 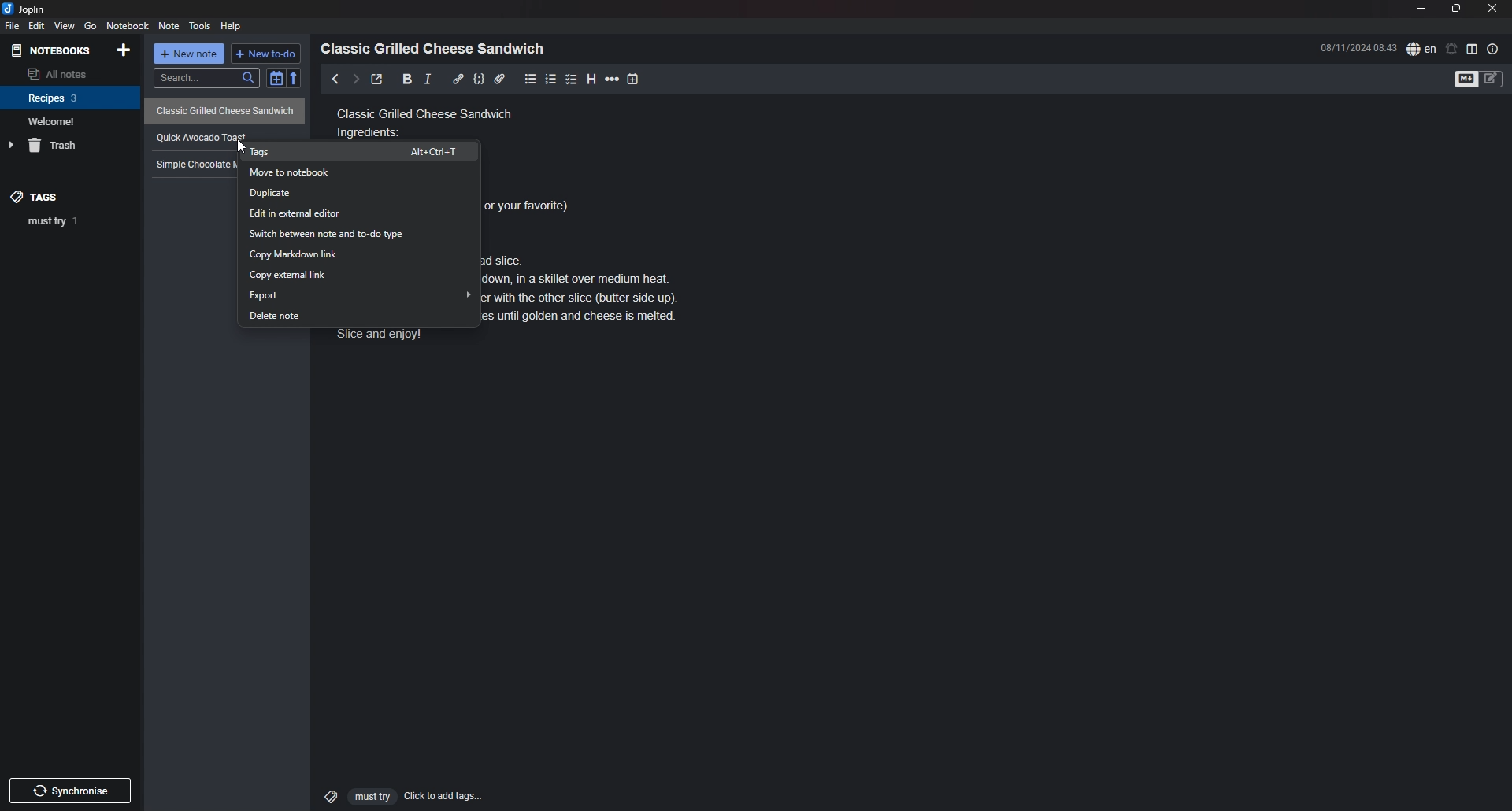 I want to click on switch between note and todo, so click(x=359, y=235).